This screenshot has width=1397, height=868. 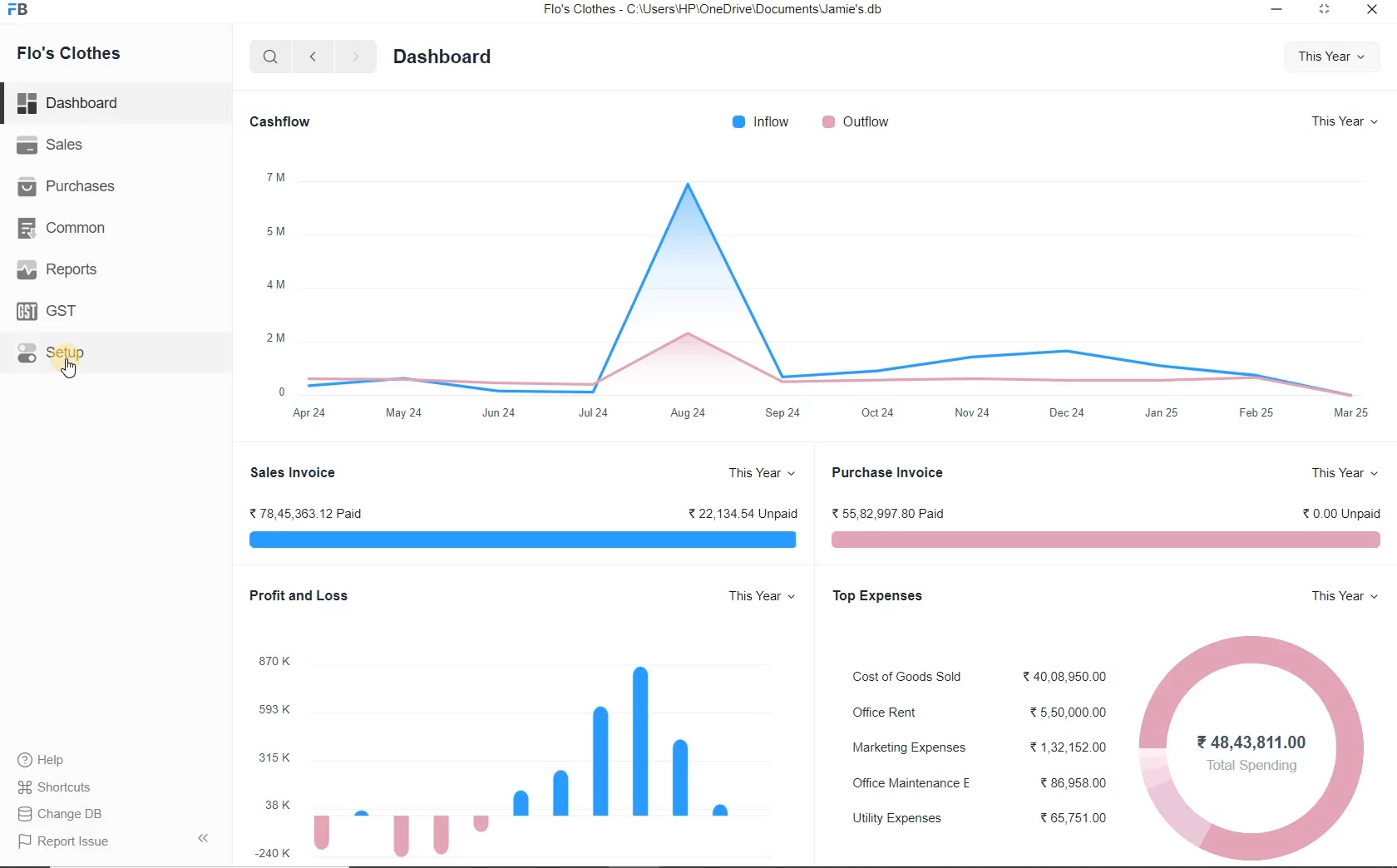 What do you see at coordinates (72, 368) in the screenshot?
I see `Cursor` at bounding box center [72, 368].